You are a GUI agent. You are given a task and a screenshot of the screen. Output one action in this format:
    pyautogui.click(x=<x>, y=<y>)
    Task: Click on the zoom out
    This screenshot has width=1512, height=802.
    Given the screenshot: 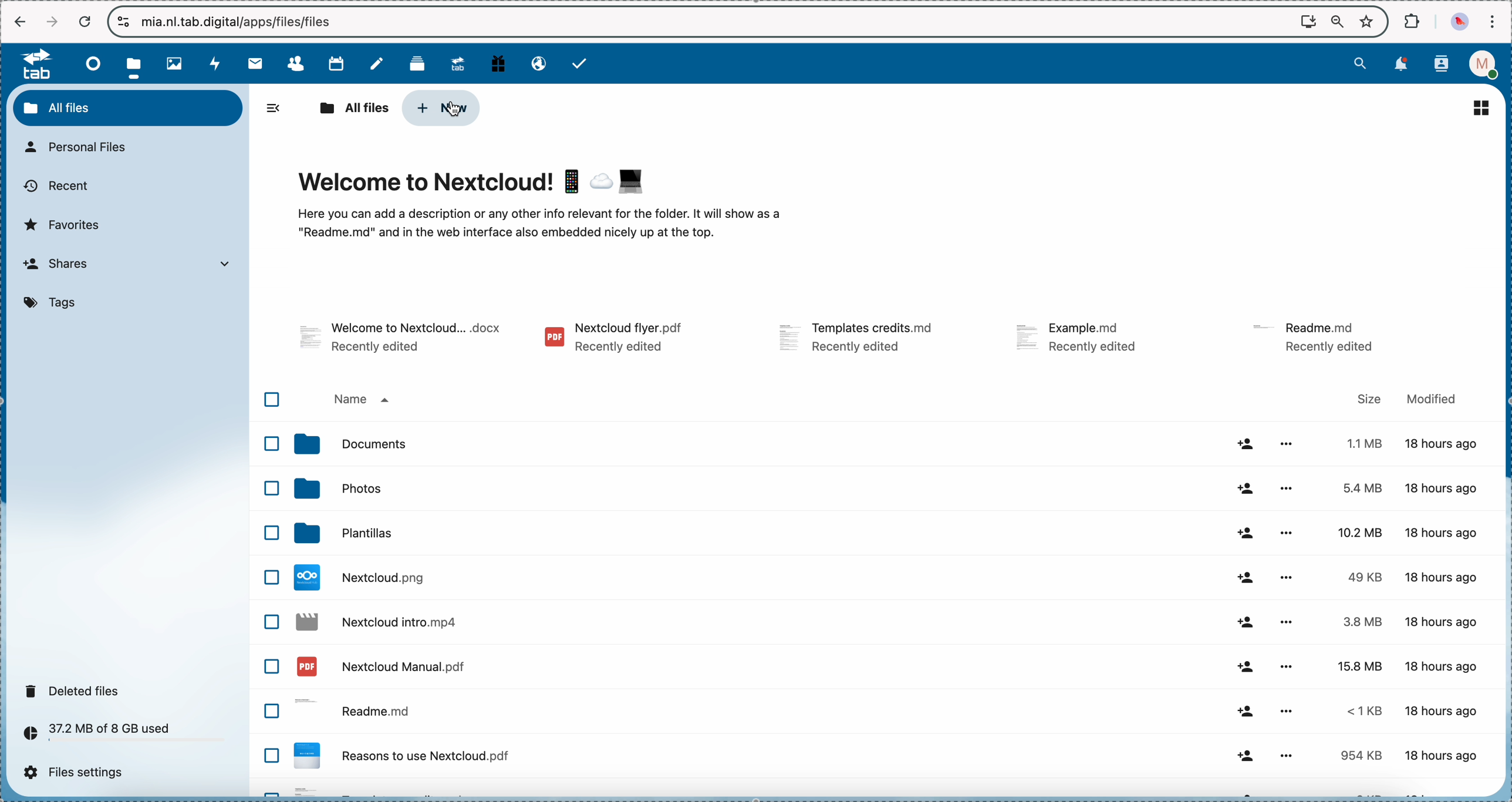 What is the action you would take?
    pyautogui.click(x=1338, y=22)
    